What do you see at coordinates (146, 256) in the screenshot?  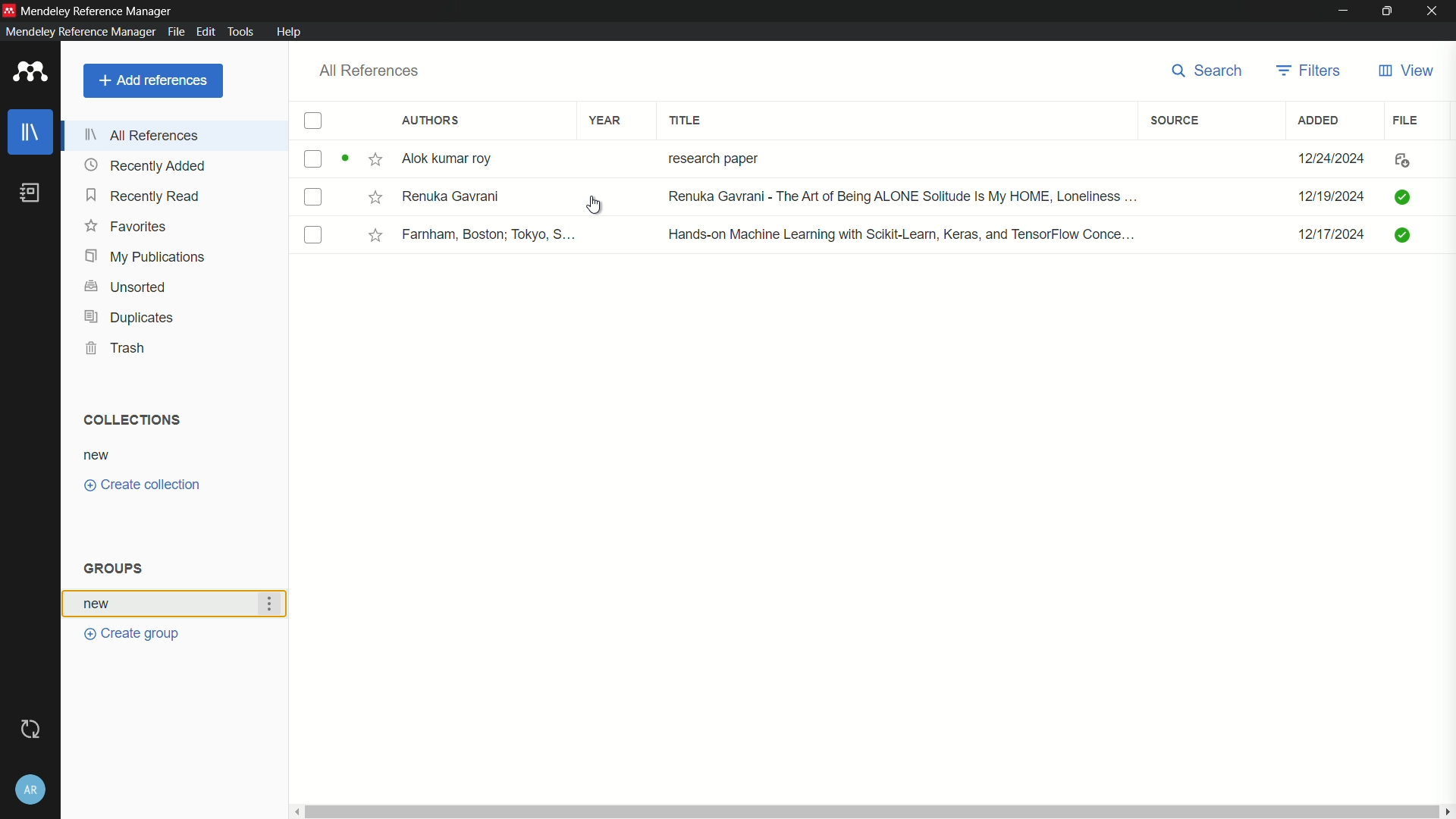 I see `my publications` at bounding box center [146, 256].